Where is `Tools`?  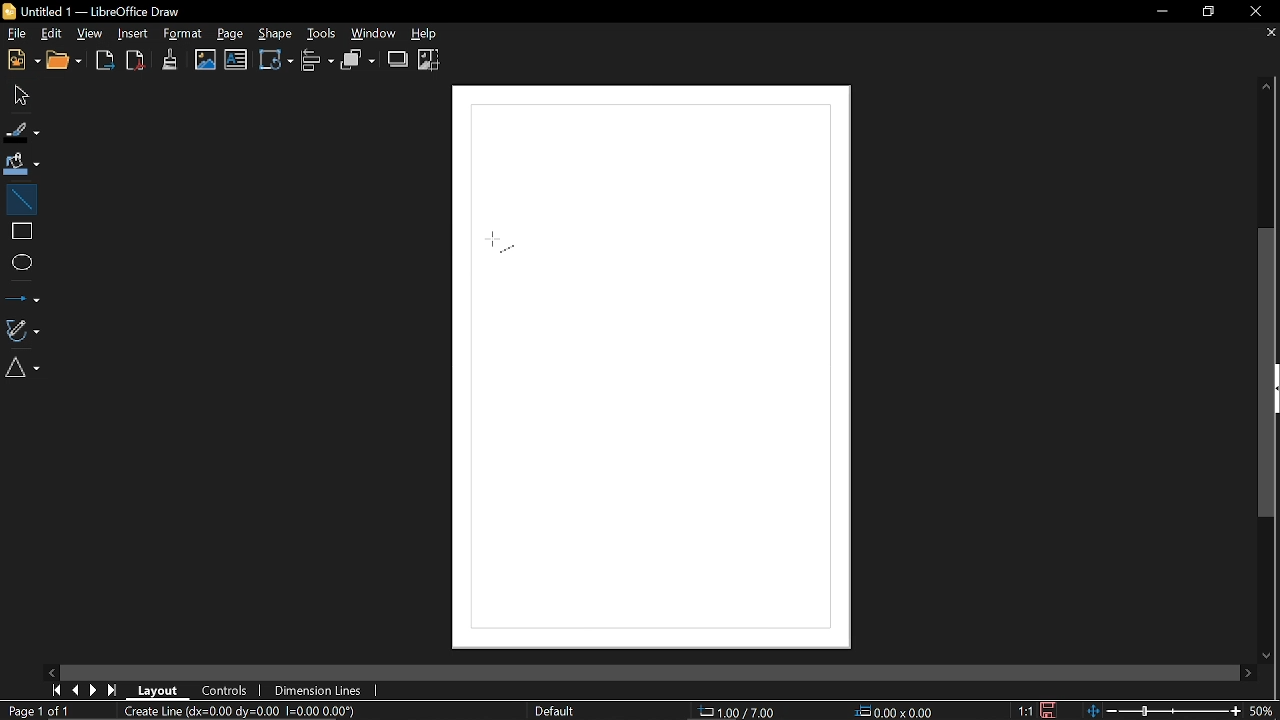 Tools is located at coordinates (321, 34).